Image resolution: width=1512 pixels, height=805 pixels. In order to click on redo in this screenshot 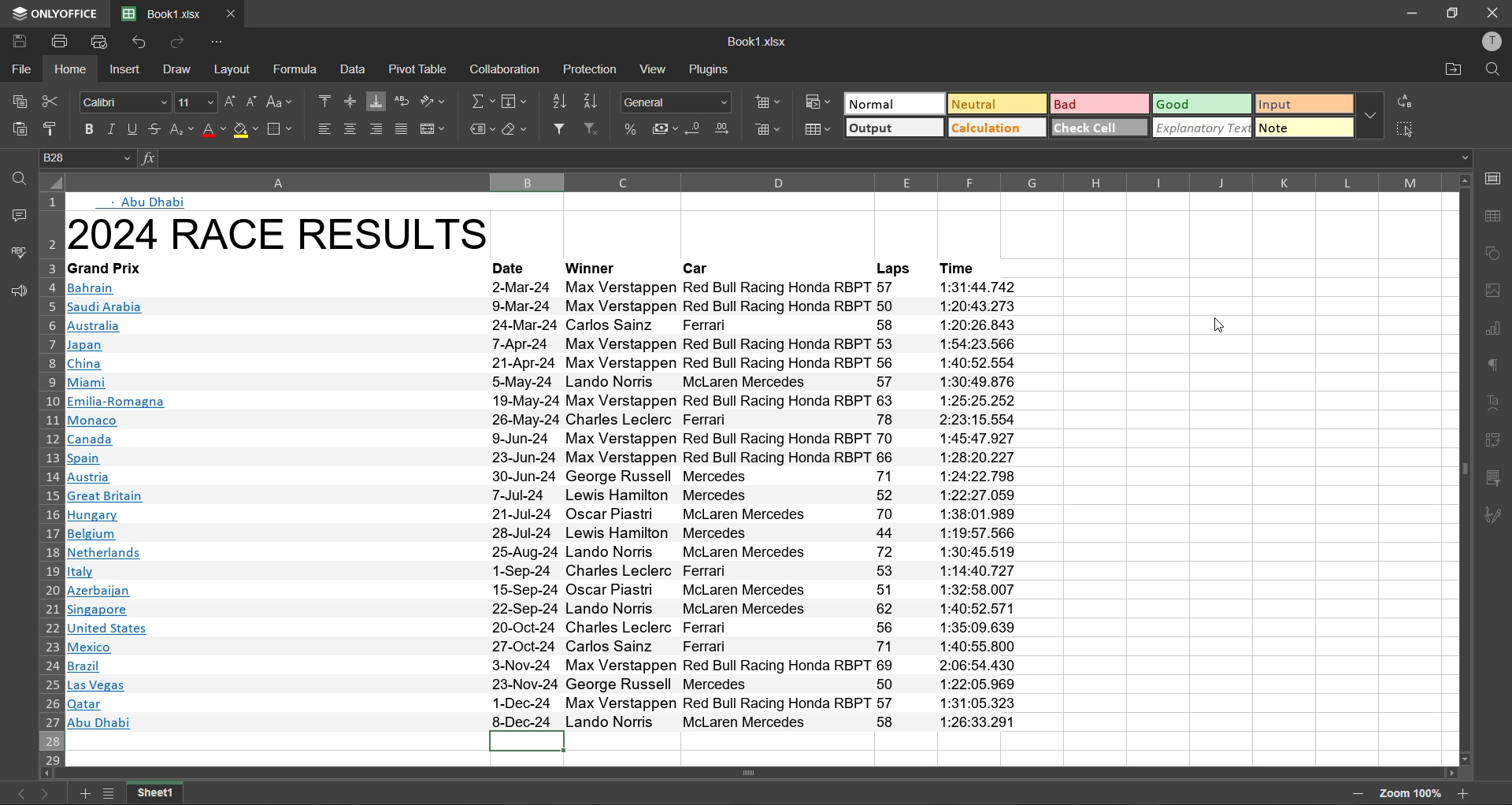, I will do `click(183, 43)`.